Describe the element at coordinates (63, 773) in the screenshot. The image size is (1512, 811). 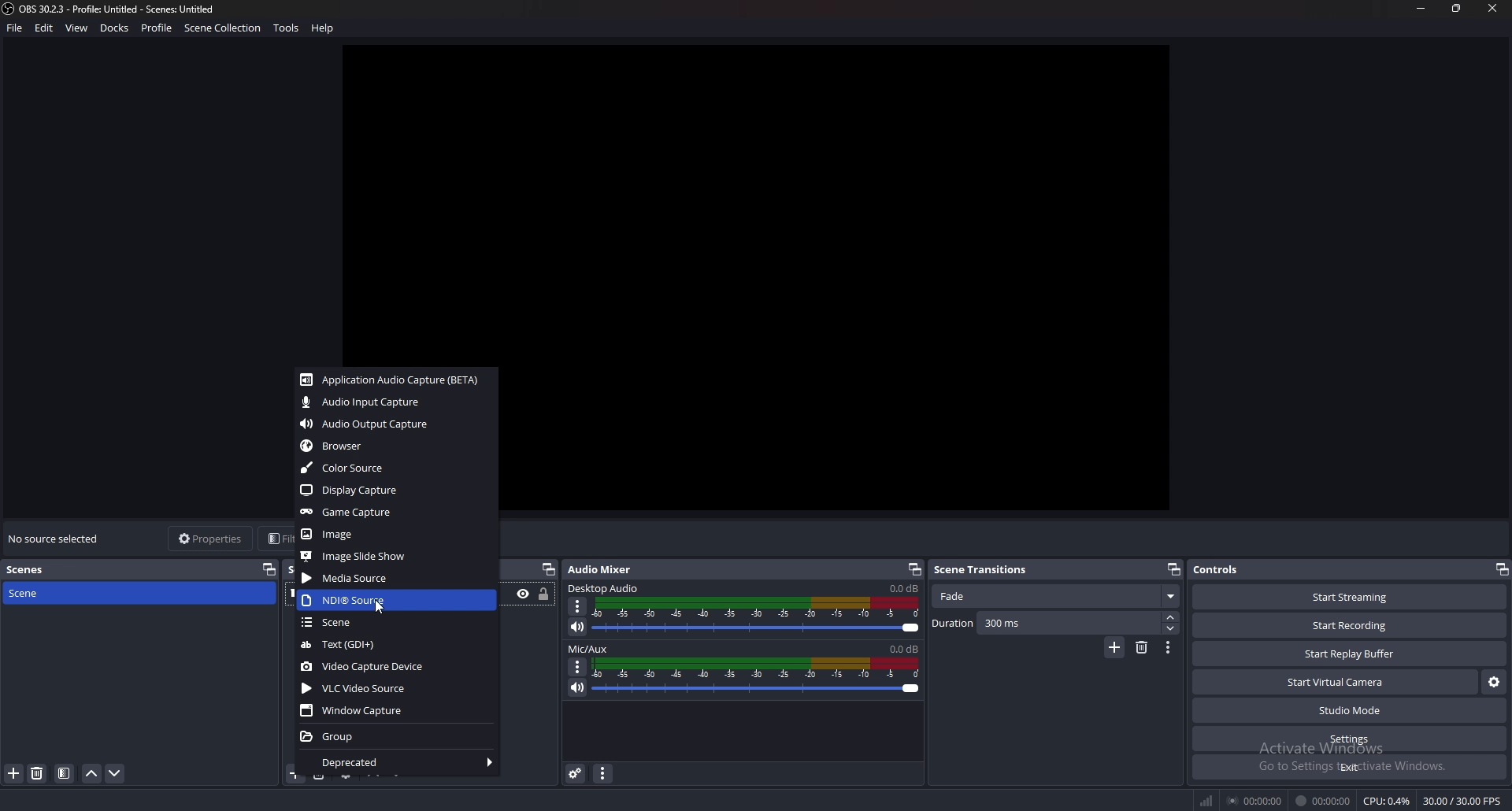
I see `filter` at that location.